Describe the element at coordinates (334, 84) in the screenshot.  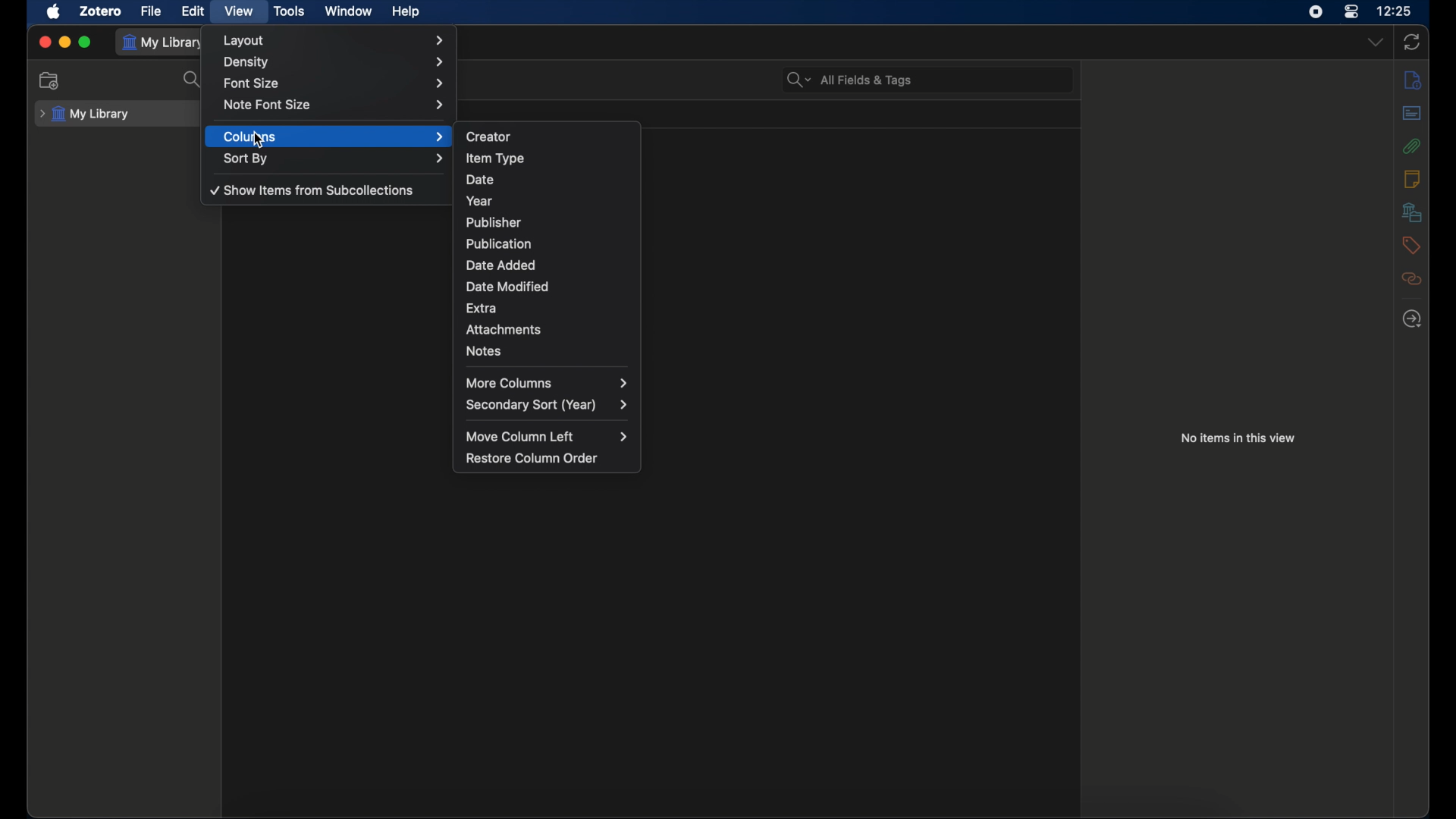
I see `font size` at that location.